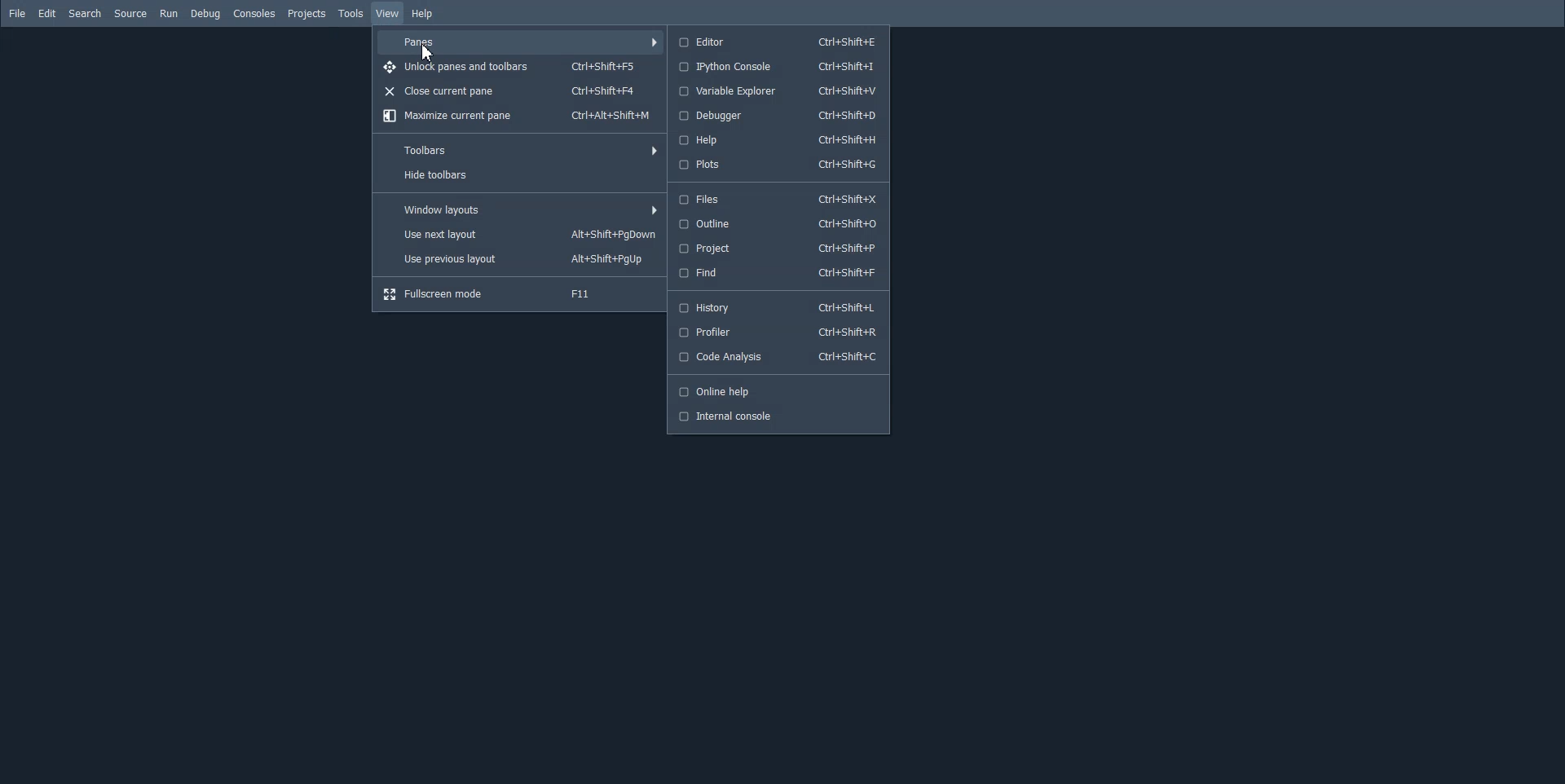 The image size is (1565, 784). I want to click on Internal console, so click(775, 417).